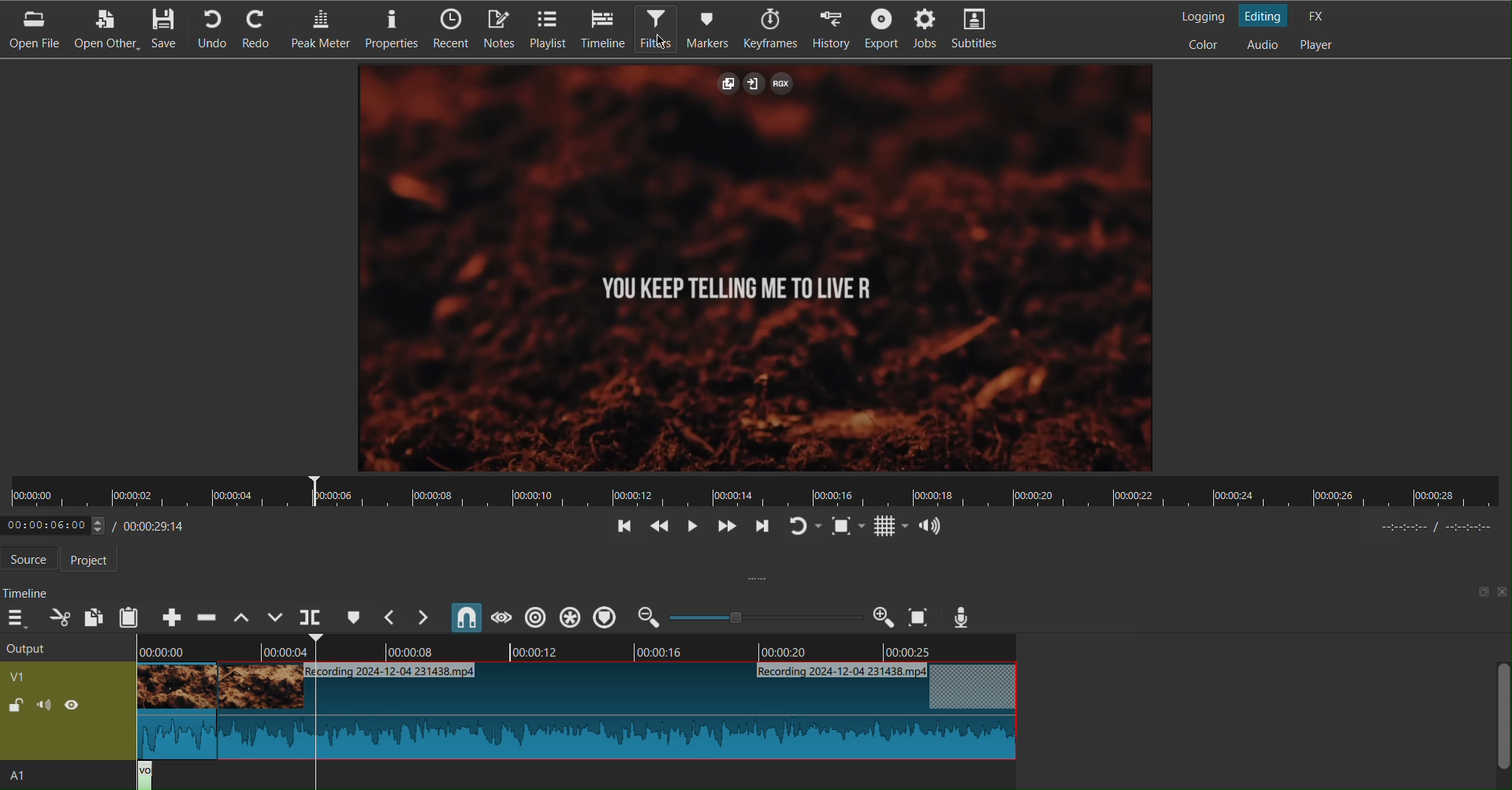 This screenshot has width=1512, height=790. Describe the element at coordinates (1266, 15) in the screenshot. I see `Editing` at that location.